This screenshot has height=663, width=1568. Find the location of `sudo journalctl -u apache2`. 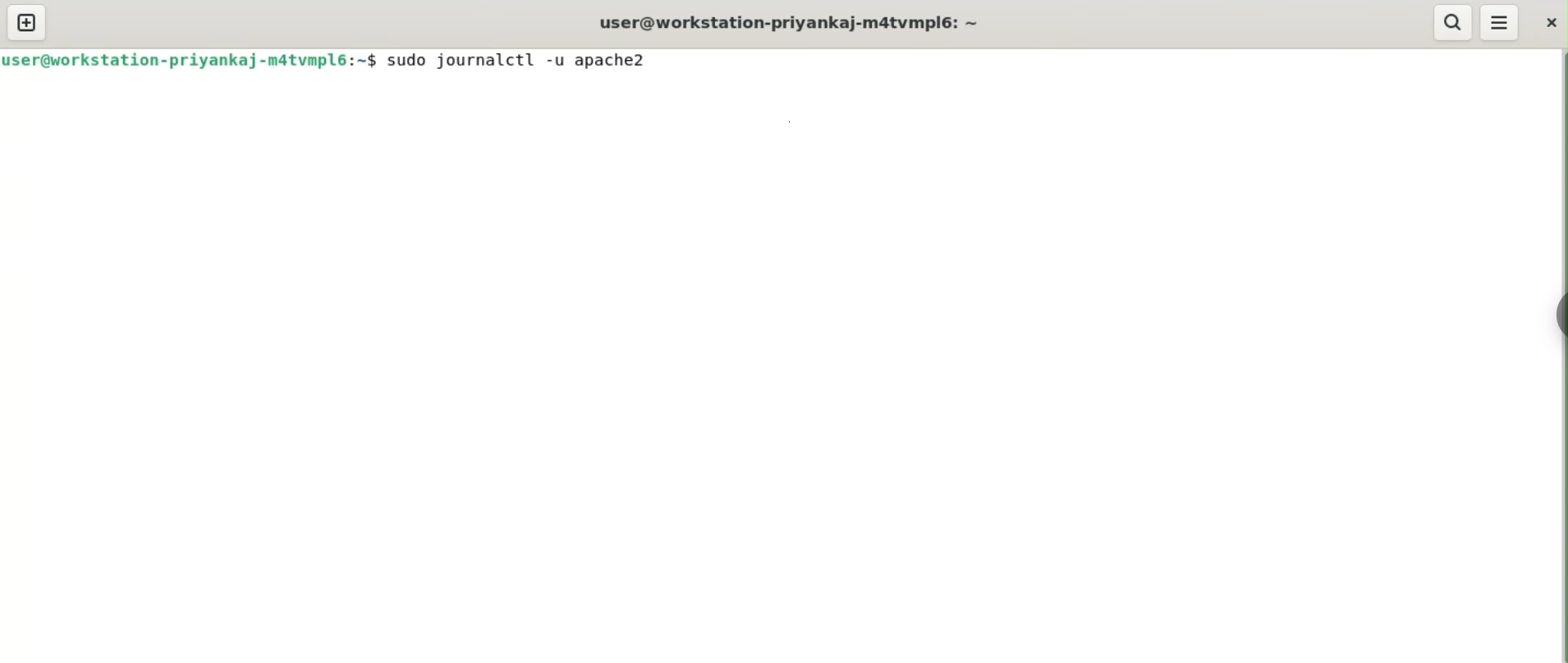

sudo journalctl -u apache2 is located at coordinates (522, 60).